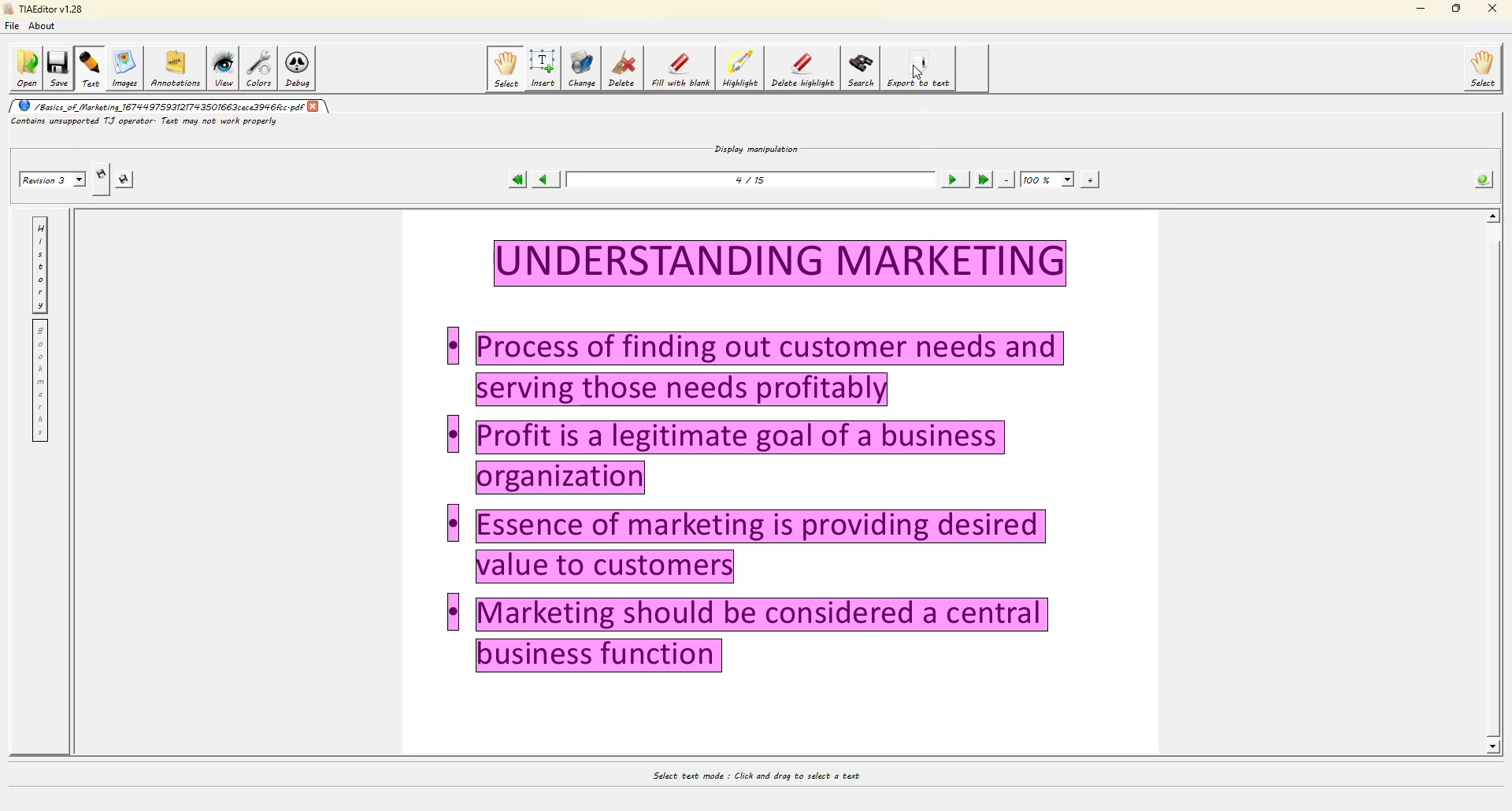  I want to click on colors, so click(259, 69).